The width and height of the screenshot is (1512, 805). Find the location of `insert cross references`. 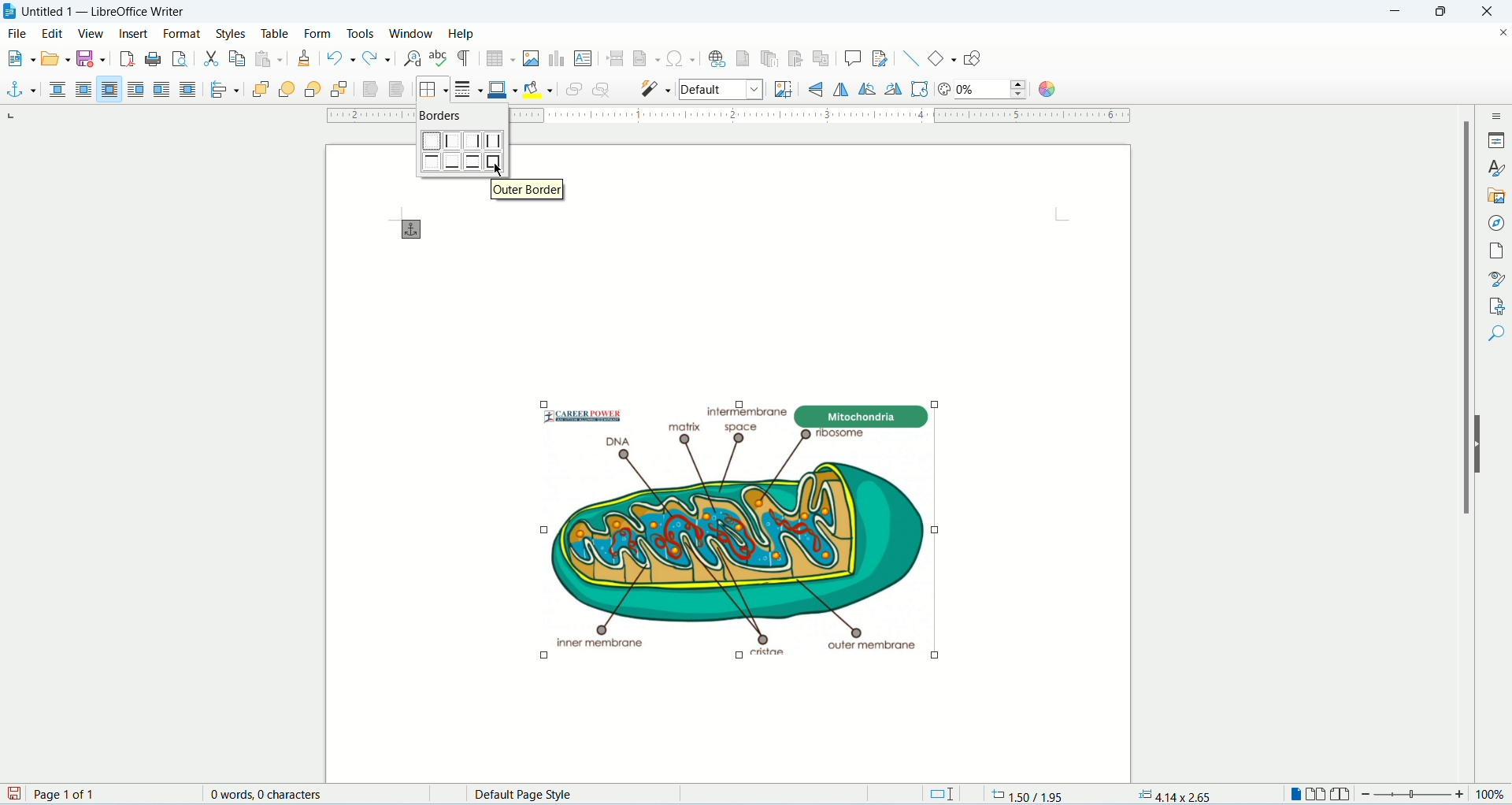

insert cross references is located at coordinates (821, 59).